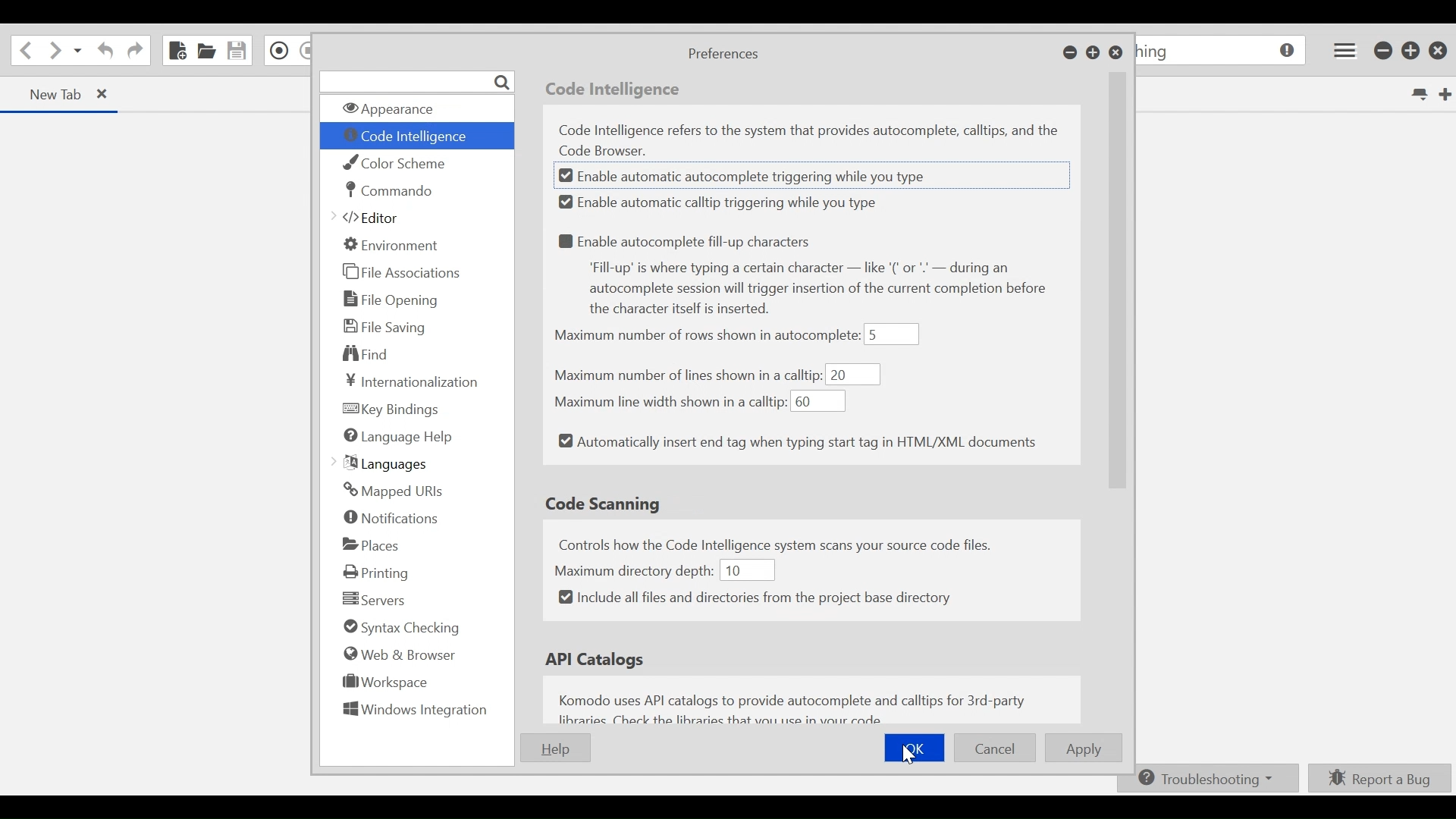 This screenshot has width=1456, height=819. What do you see at coordinates (78, 52) in the screenshot?
I see `Recent location` at bounding box center [78, 52].